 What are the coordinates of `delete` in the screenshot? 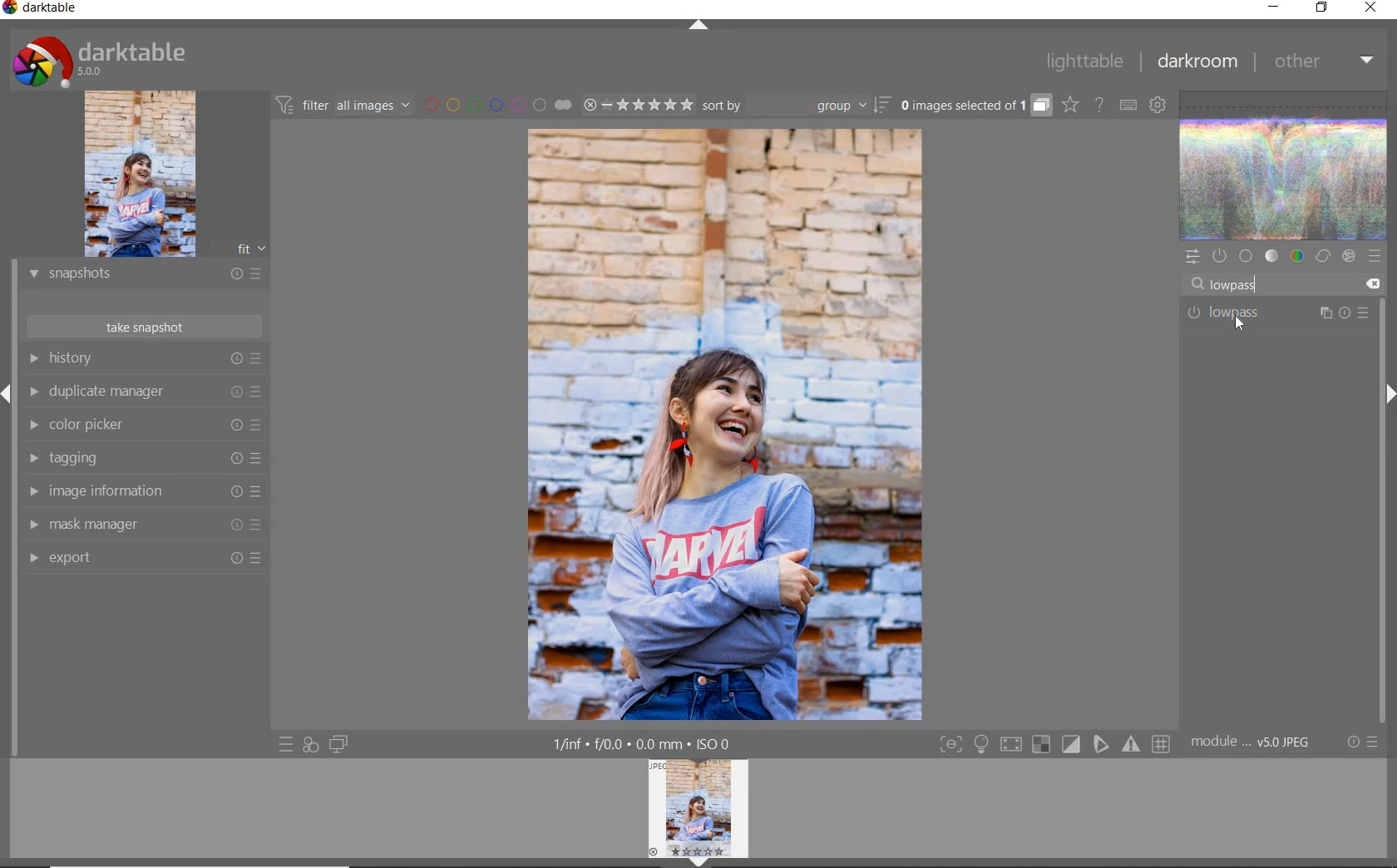 It's located at (1370, 283).